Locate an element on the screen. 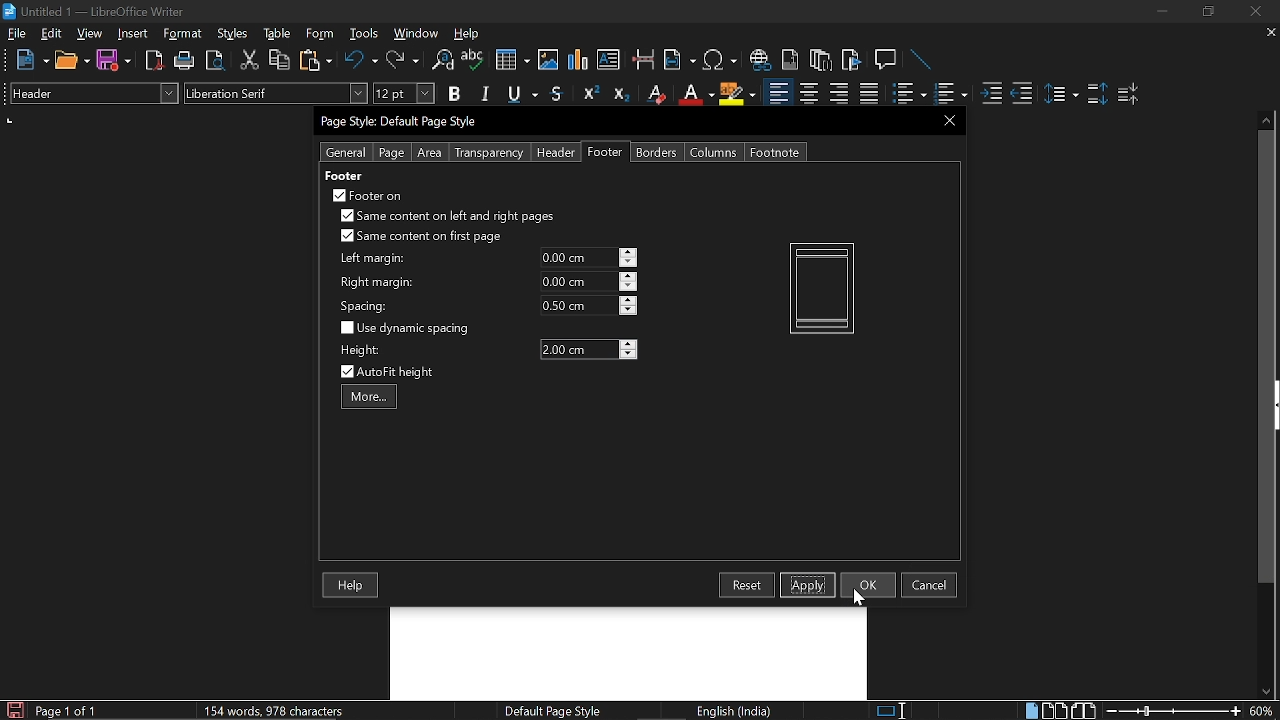  Move down is located at coordinates (1265, 692).